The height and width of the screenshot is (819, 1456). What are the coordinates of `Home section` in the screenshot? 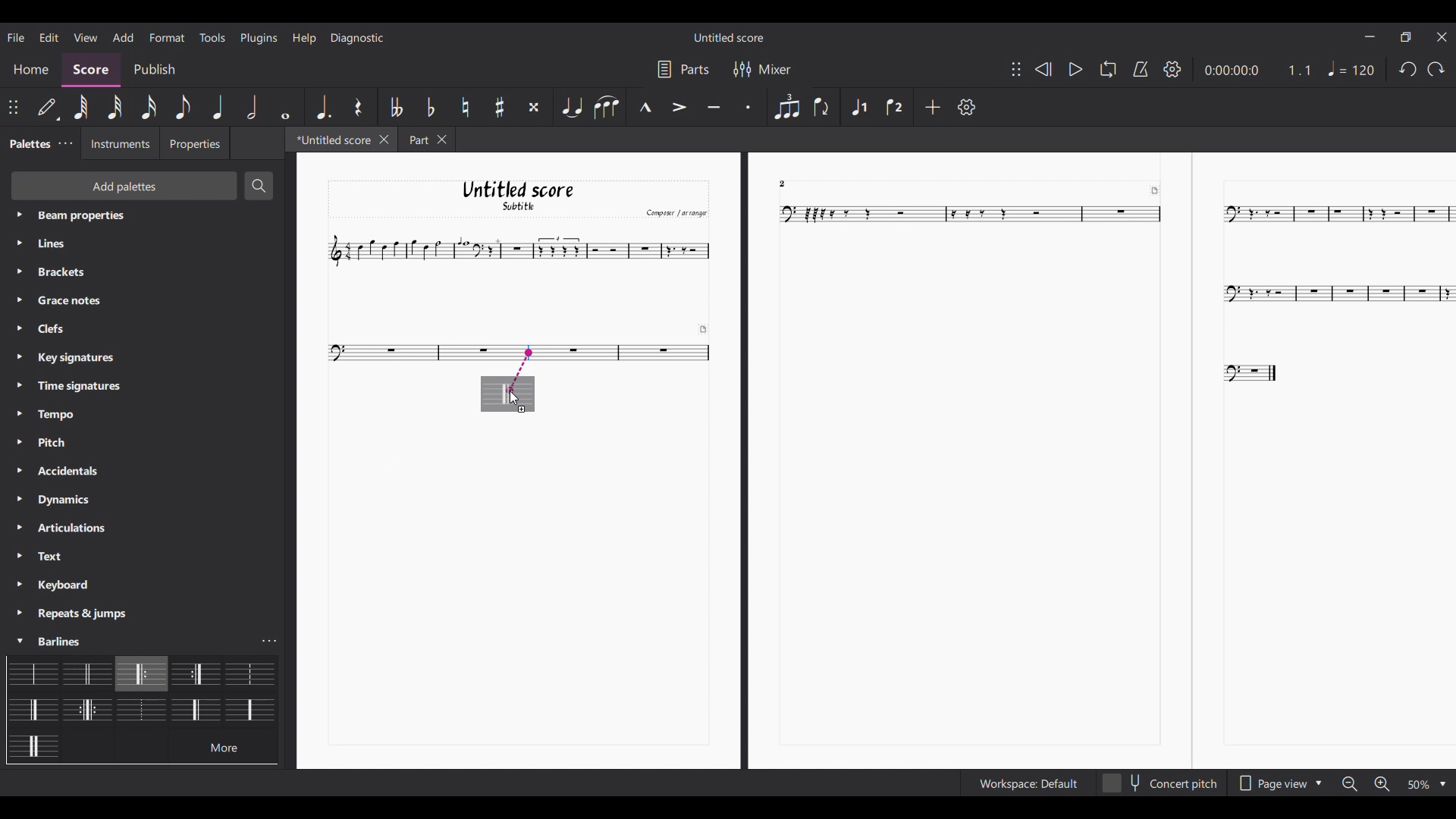 It's located at (30, 70).